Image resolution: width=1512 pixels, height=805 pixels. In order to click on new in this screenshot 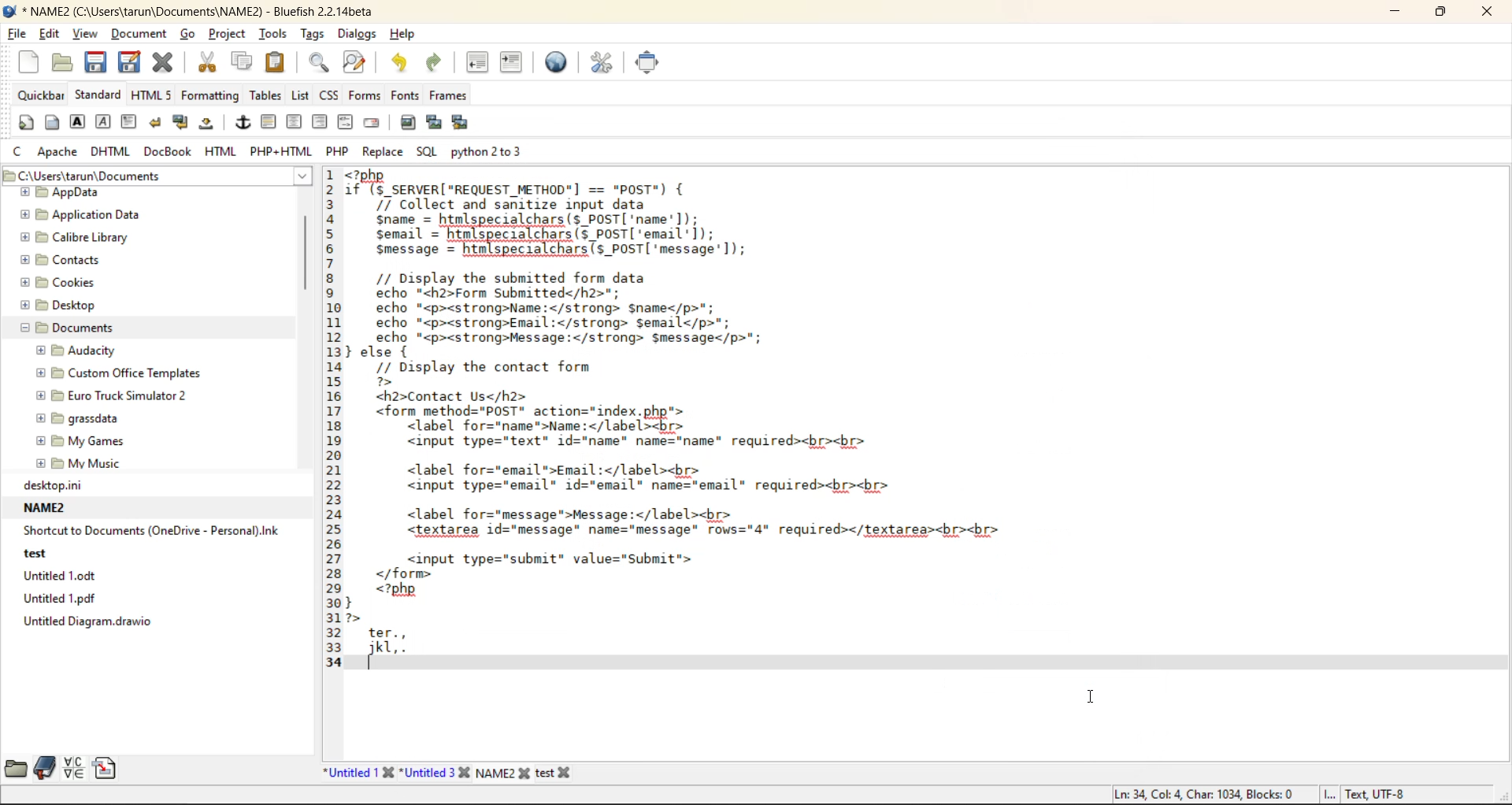, I will do `click(31, 61)`.